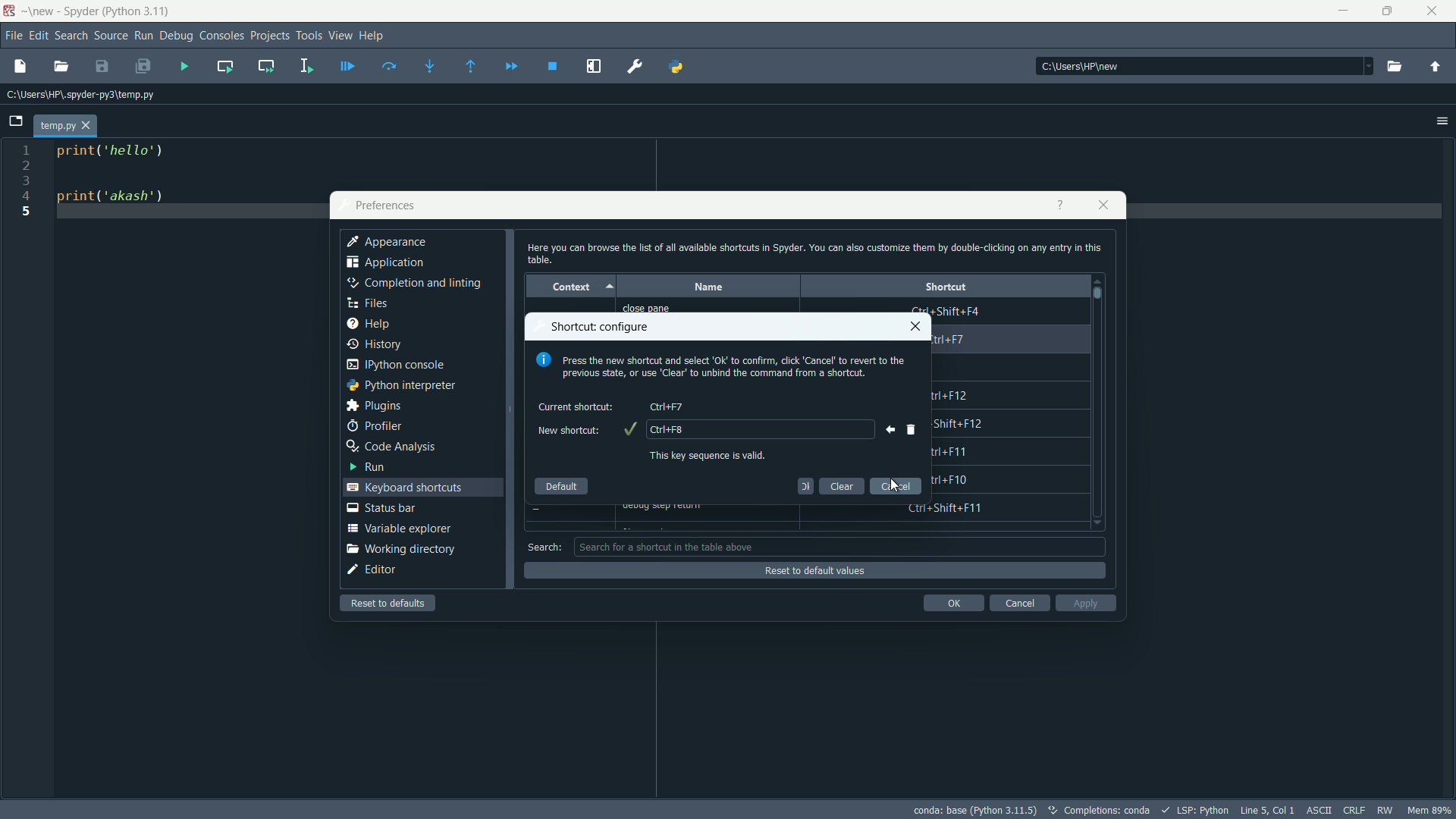 Image resolution: width=1456 pixels, height=819 pixels. What do you see at coordinates (81, 96) in the screenshot?
I see `directory` at bounding box center [81, 96].